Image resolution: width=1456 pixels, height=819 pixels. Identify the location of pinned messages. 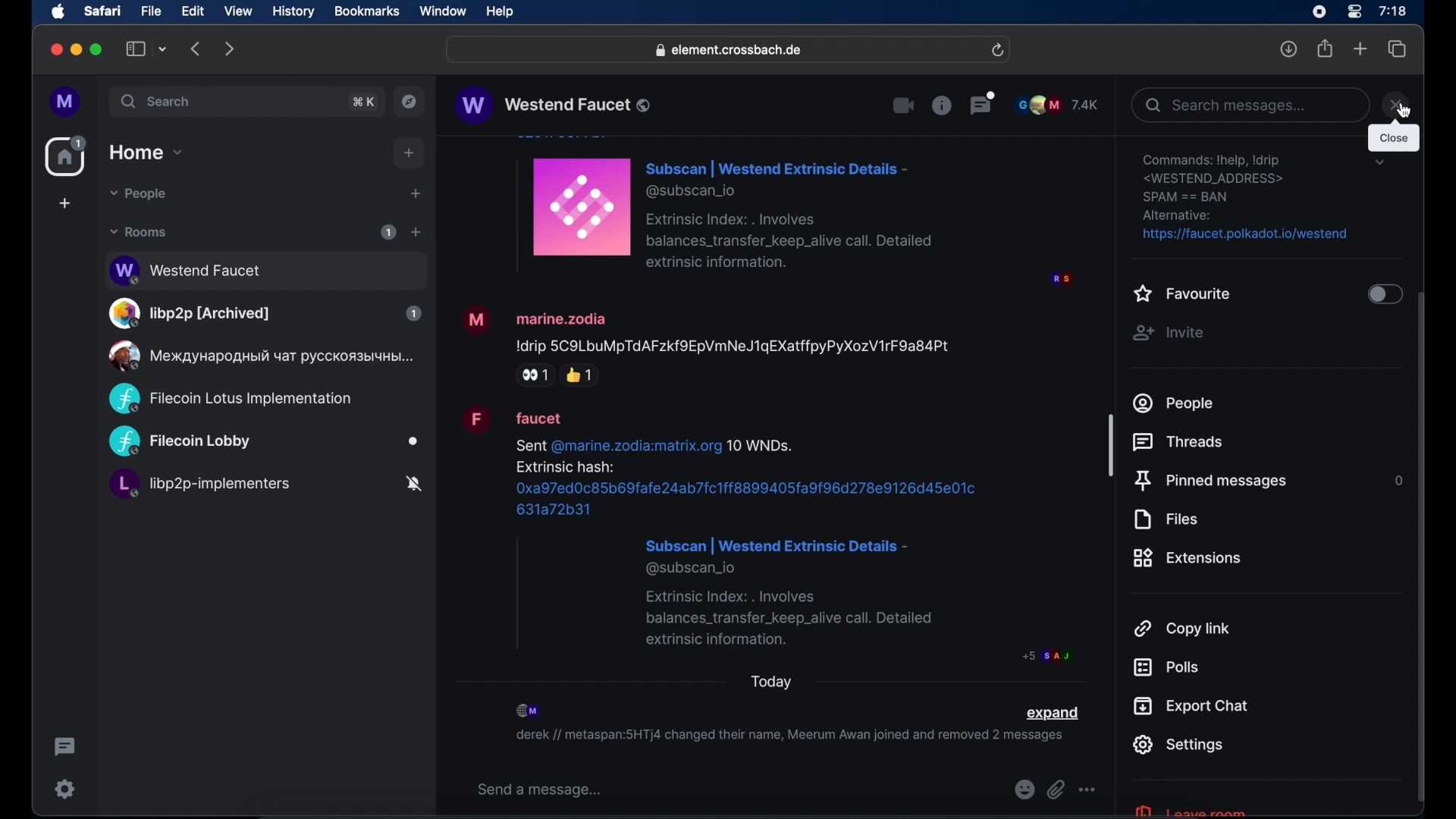
(1210, 482).